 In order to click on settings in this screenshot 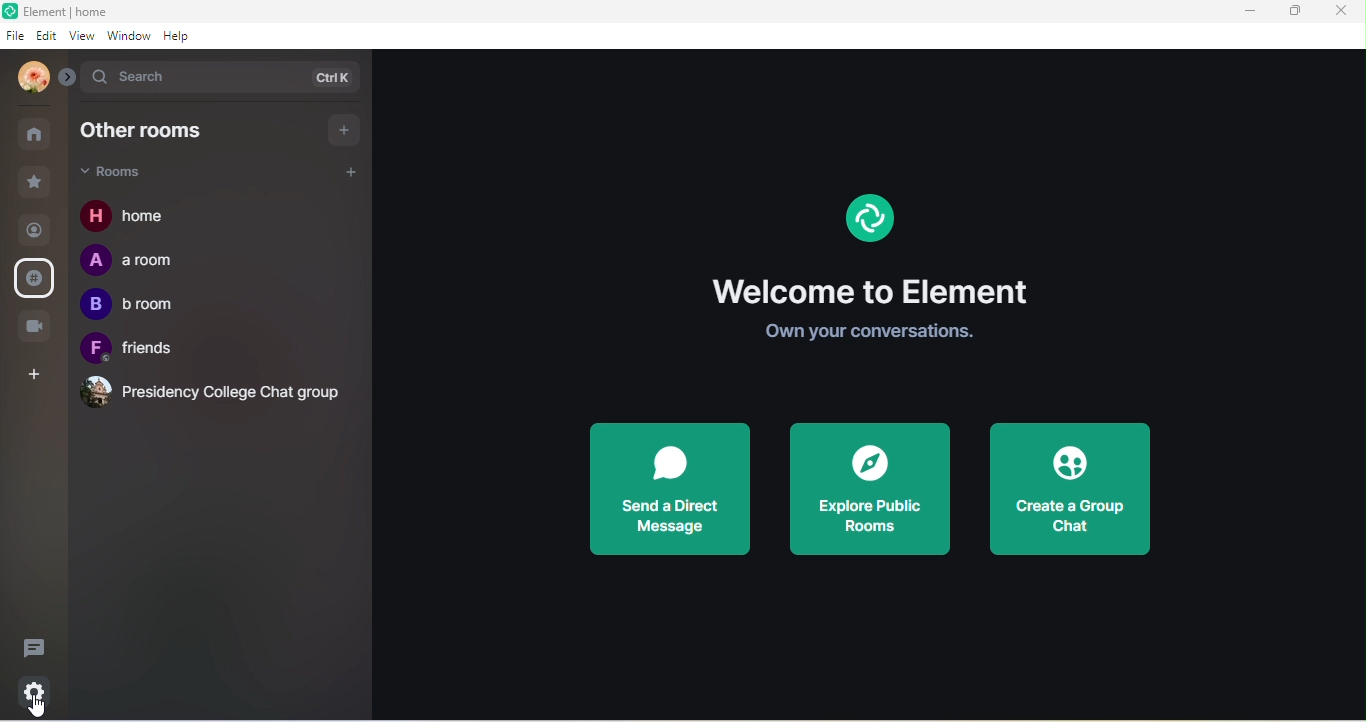, I will do `click(38, 688)`.